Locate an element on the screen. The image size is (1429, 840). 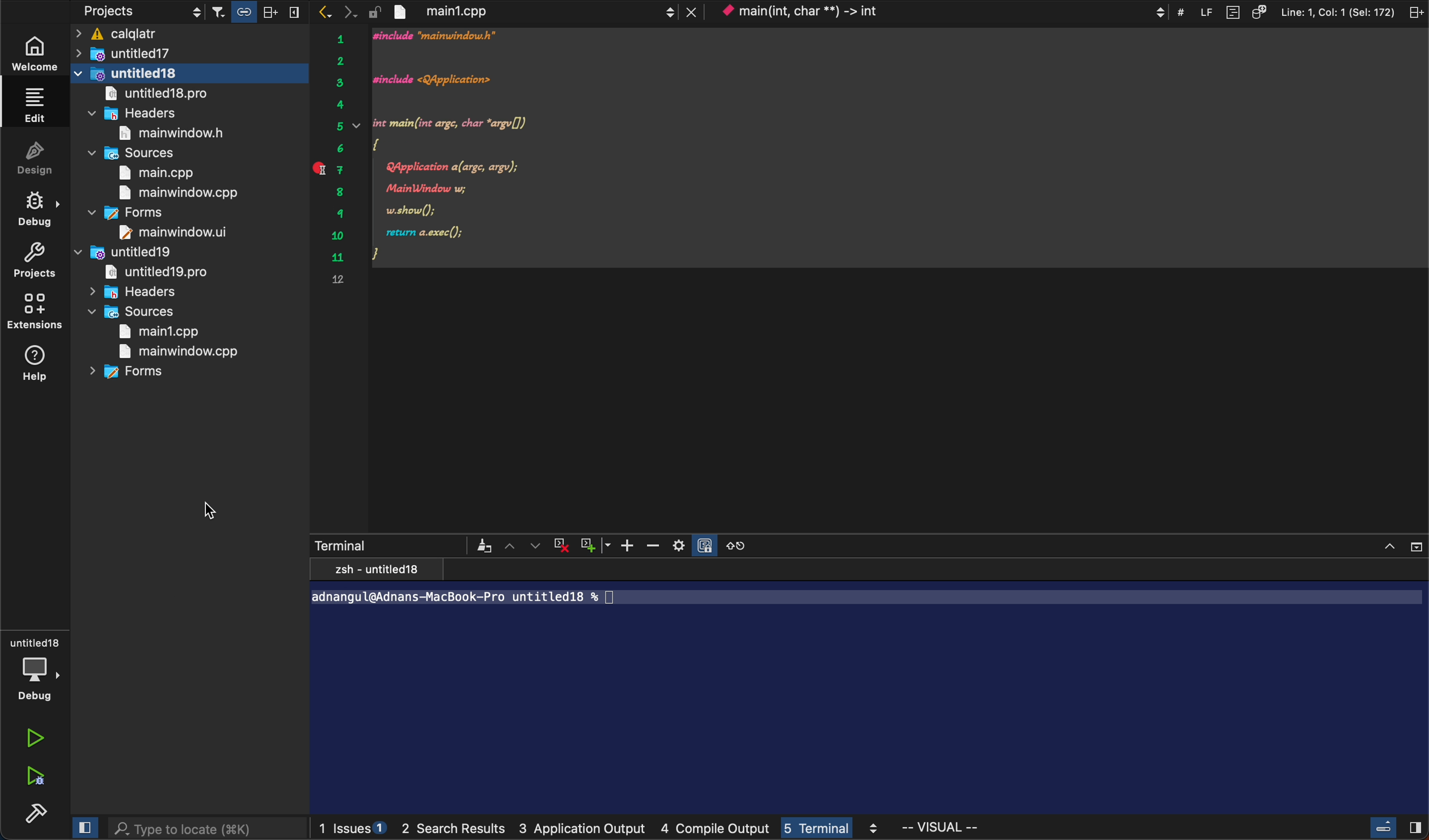
main.cpp is located at coordinates (170, 172).